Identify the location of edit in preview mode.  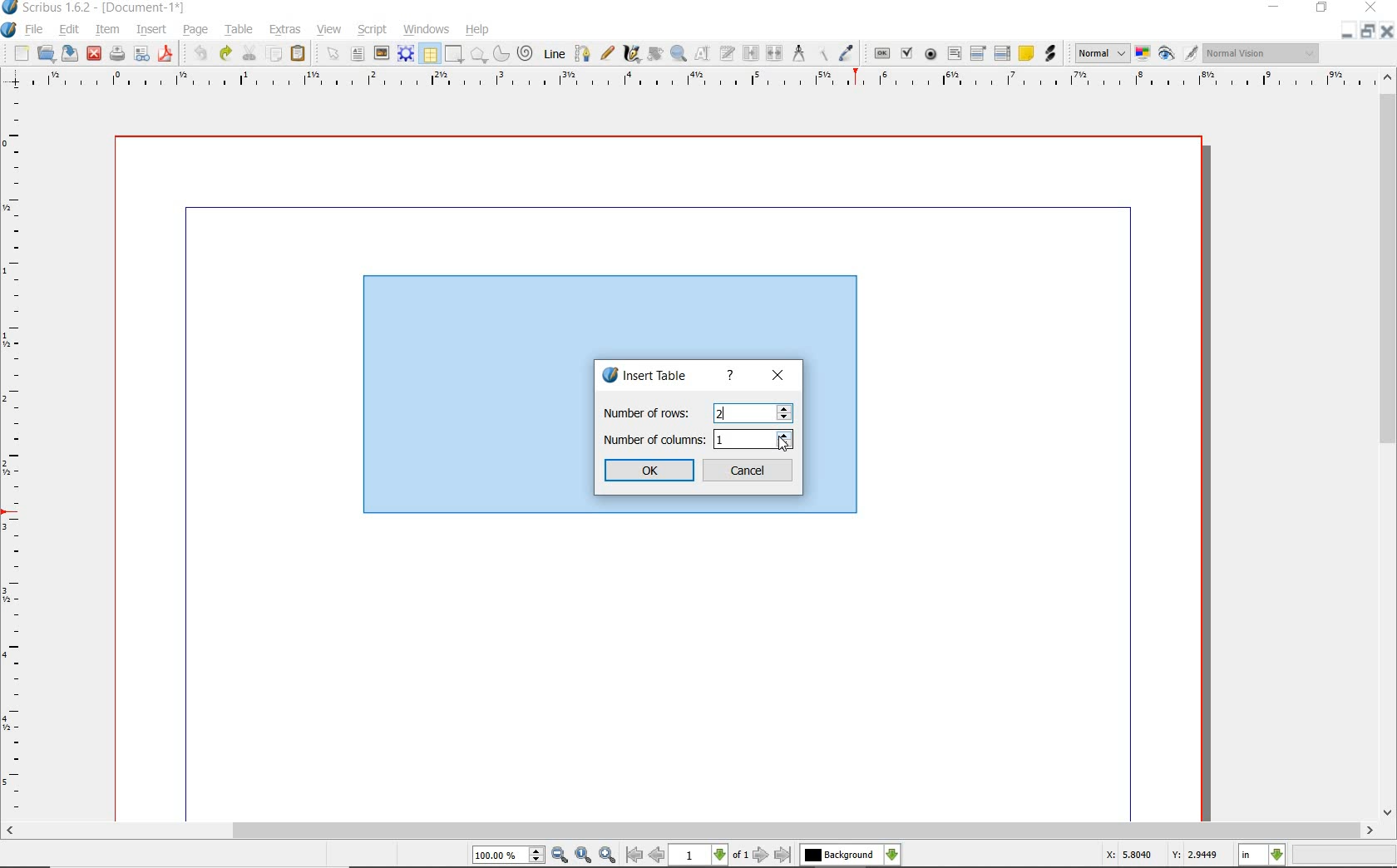
(1190, 54).